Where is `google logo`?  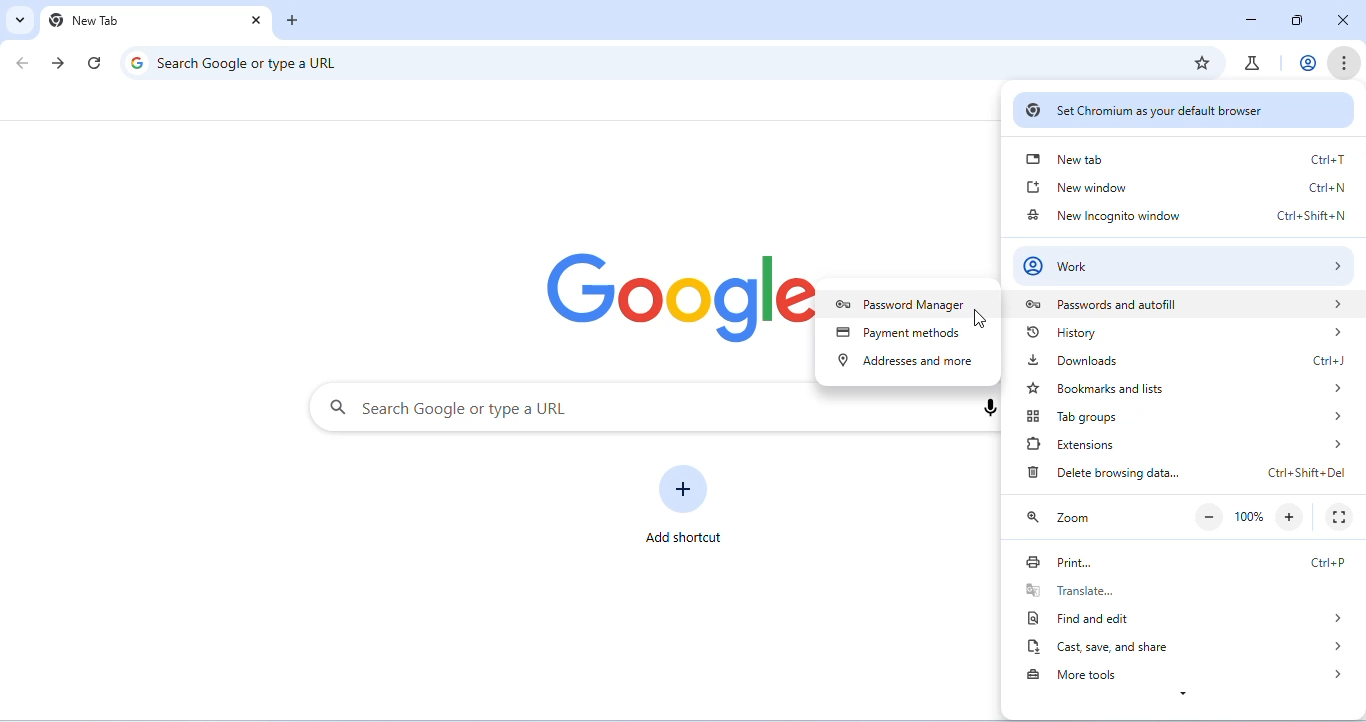 google logo is located at coordinates (135, 63).